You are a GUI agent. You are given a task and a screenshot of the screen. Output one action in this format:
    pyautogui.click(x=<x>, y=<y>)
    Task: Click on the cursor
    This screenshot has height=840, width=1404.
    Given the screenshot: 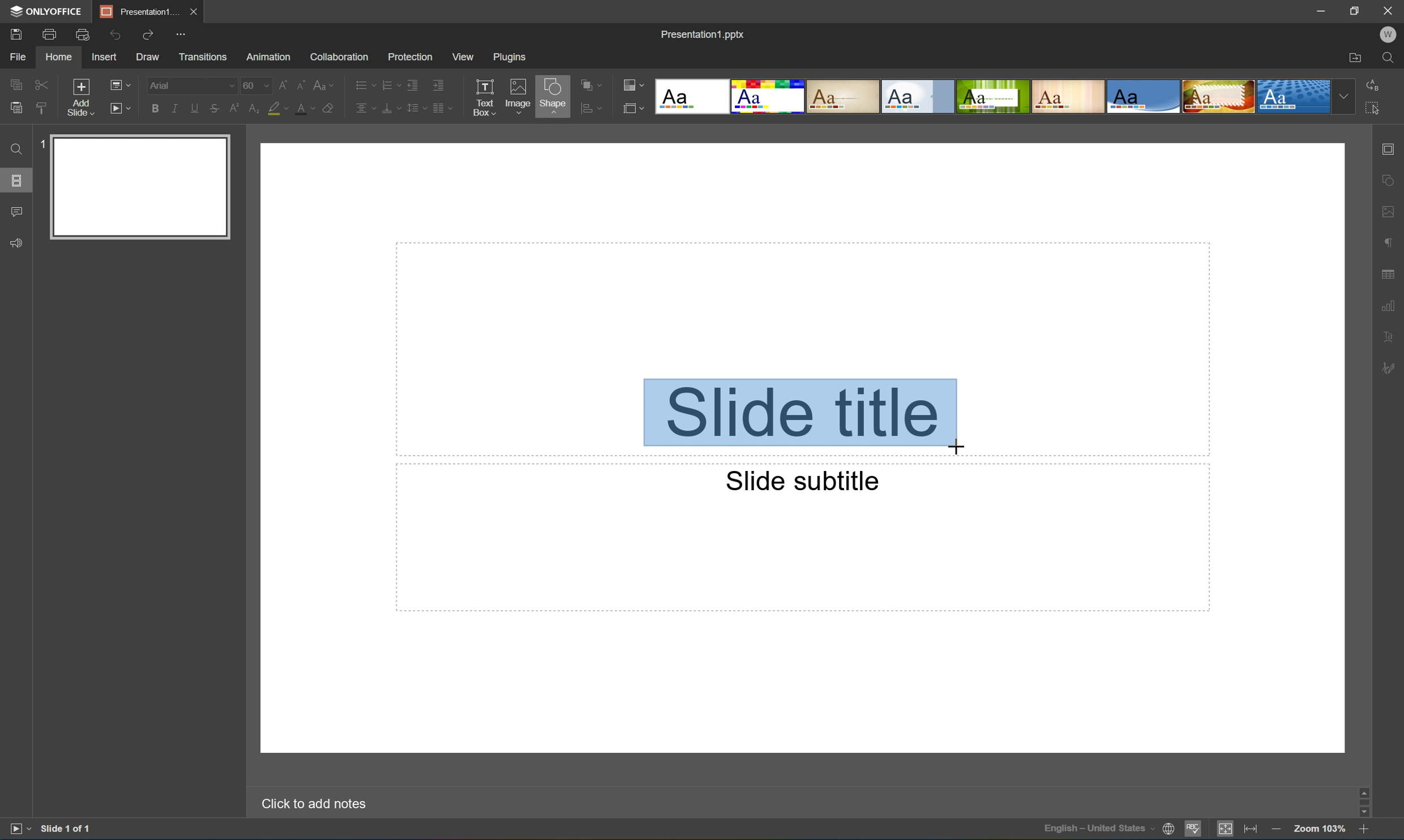 What is the action you would take?
    pyautogui.click(x=958, y=446)
    